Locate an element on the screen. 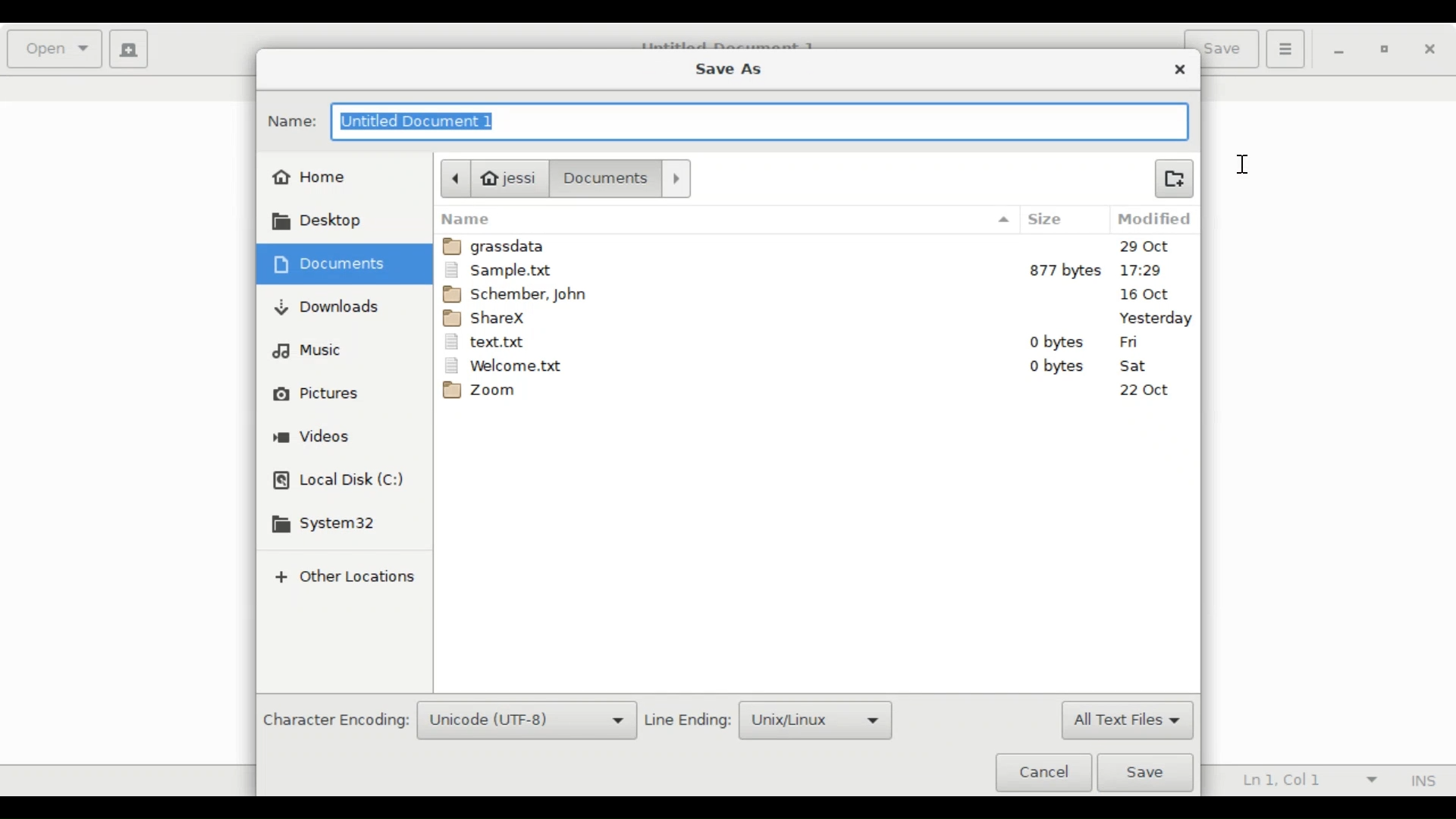 The height and width of the screenshot is (819, 1456). Close is located at coordinates (1430, 50).